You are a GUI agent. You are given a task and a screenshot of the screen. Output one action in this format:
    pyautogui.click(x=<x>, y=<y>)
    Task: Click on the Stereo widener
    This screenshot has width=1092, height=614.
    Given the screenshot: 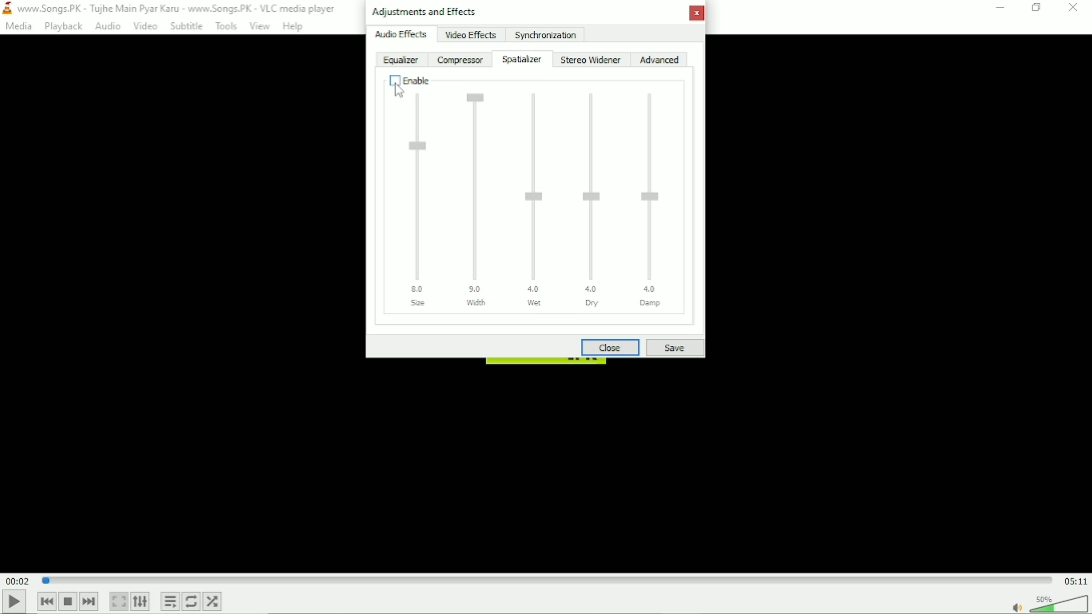 What is the action you would take?
    pyautogui.click(x=590, y=60)
    